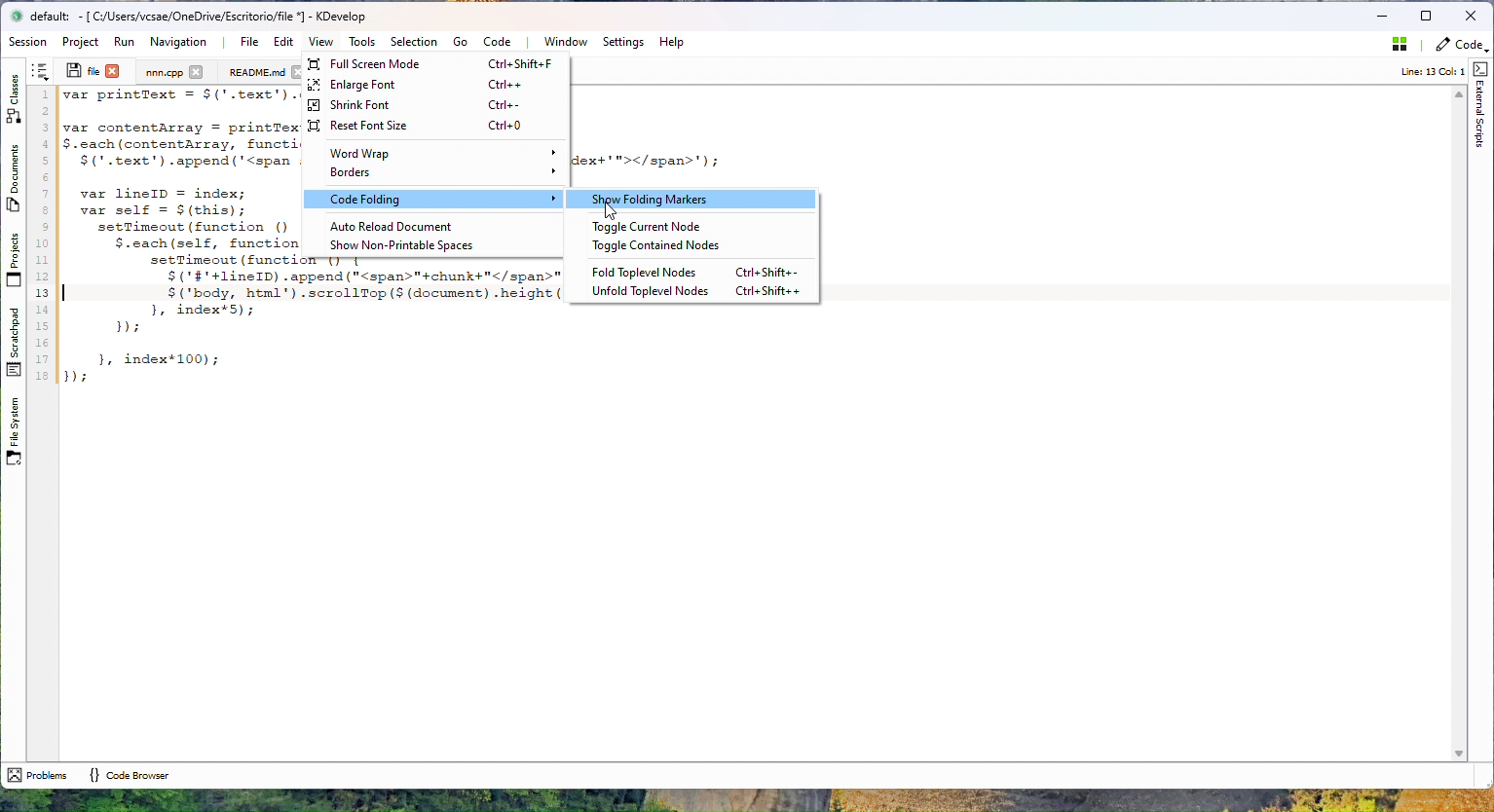  What do you see at coordinates (612, 210) in the screenshot?
I see `cursor` at bounding box center [612, 210].